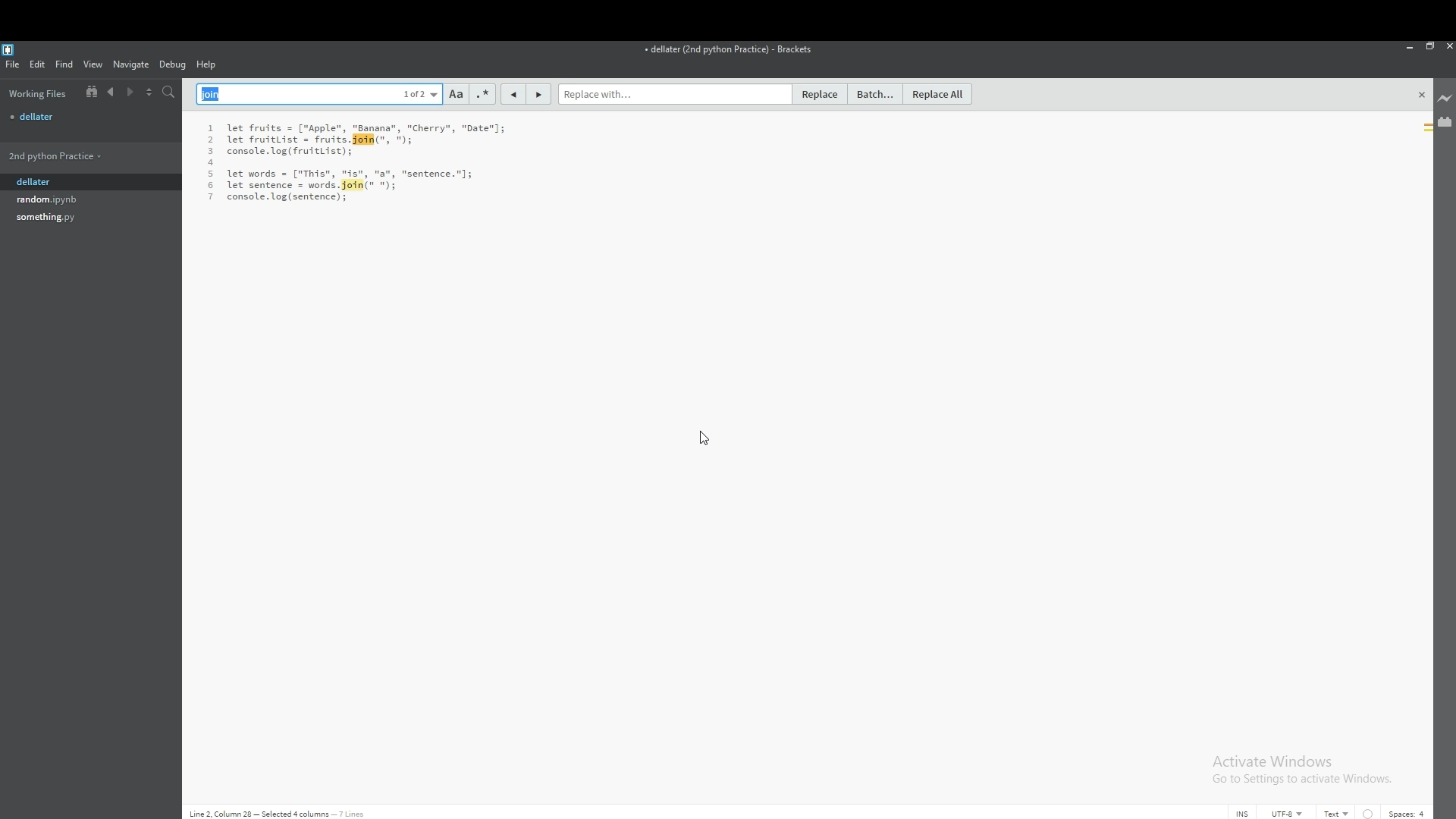 The image size is (1456, 819). I want to click on search, so click(169, 92).